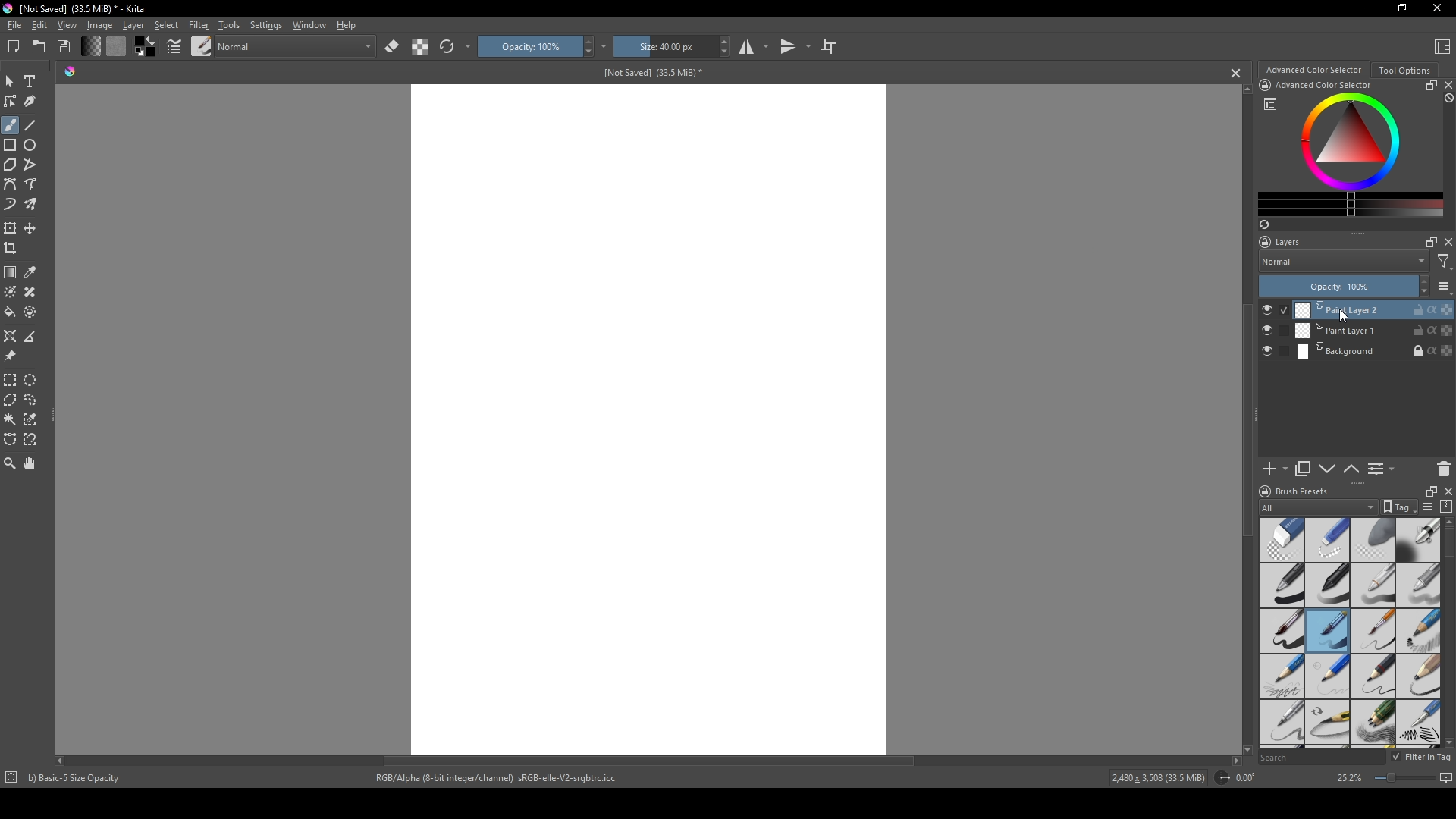  What do you see at coordinates (1444, 469) in the screenshot?
I see `delete` at bounding box center [1444, 469].